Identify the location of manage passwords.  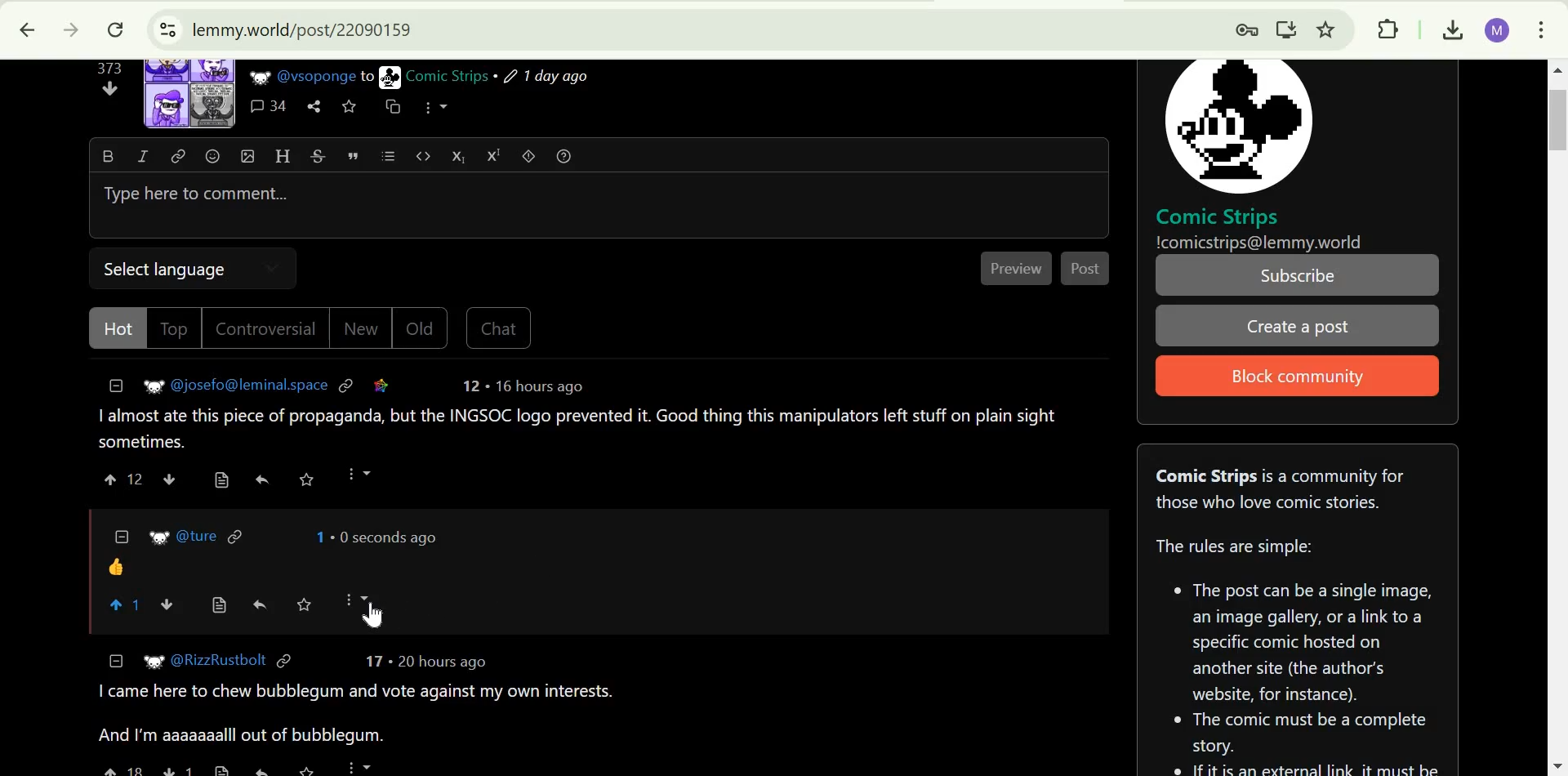
(1241, 29).